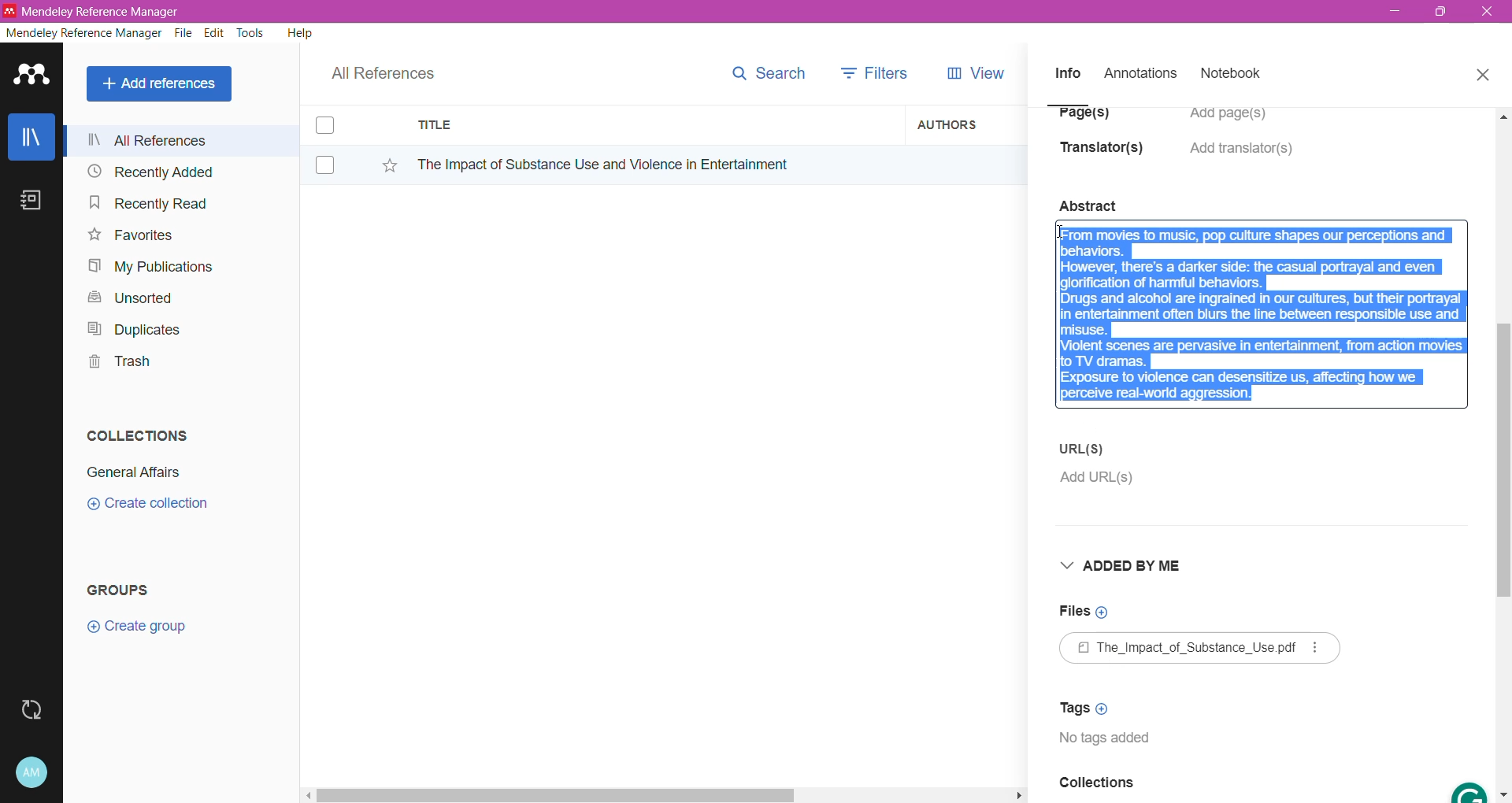 The width and height of the screenshot is (1512, 803). What do you see at coordinates (162, 83) in the screenshot?
I see `Add References` at bounding box center [162, 83].